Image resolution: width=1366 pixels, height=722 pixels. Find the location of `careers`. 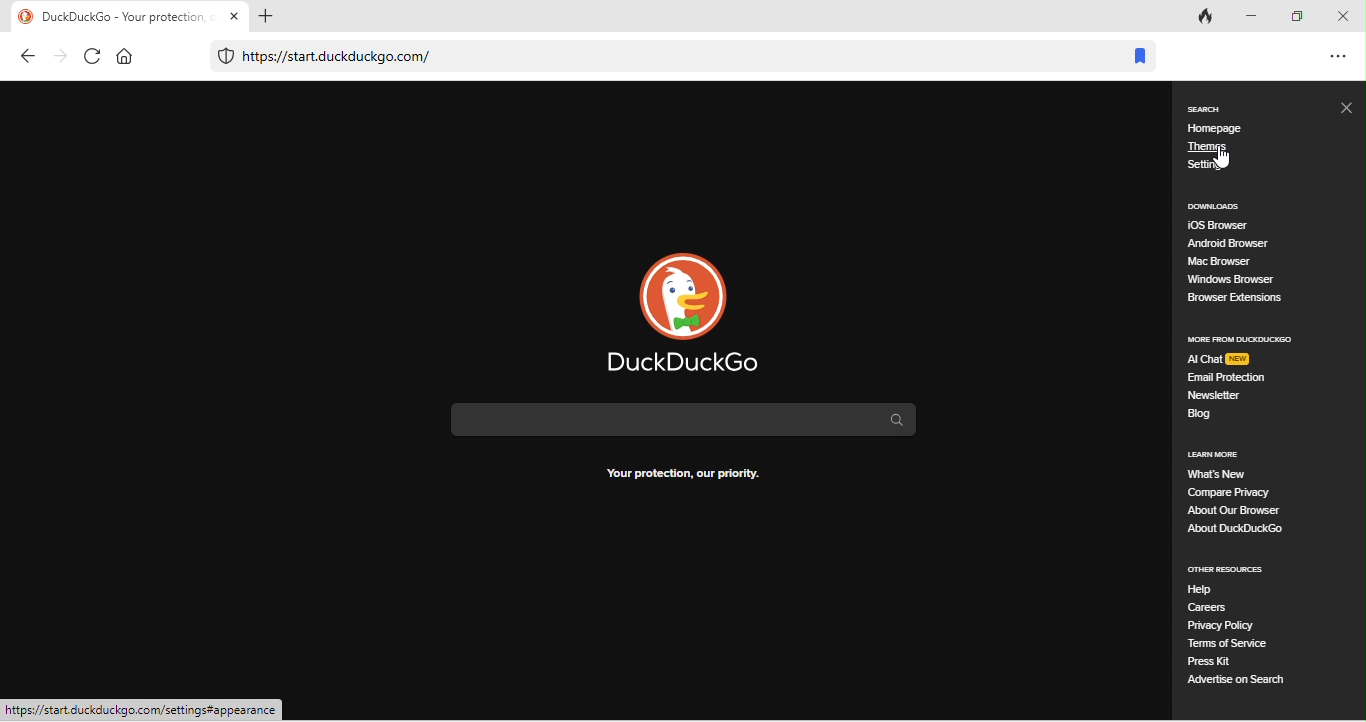

careers is located at coordinates (1214, 609).